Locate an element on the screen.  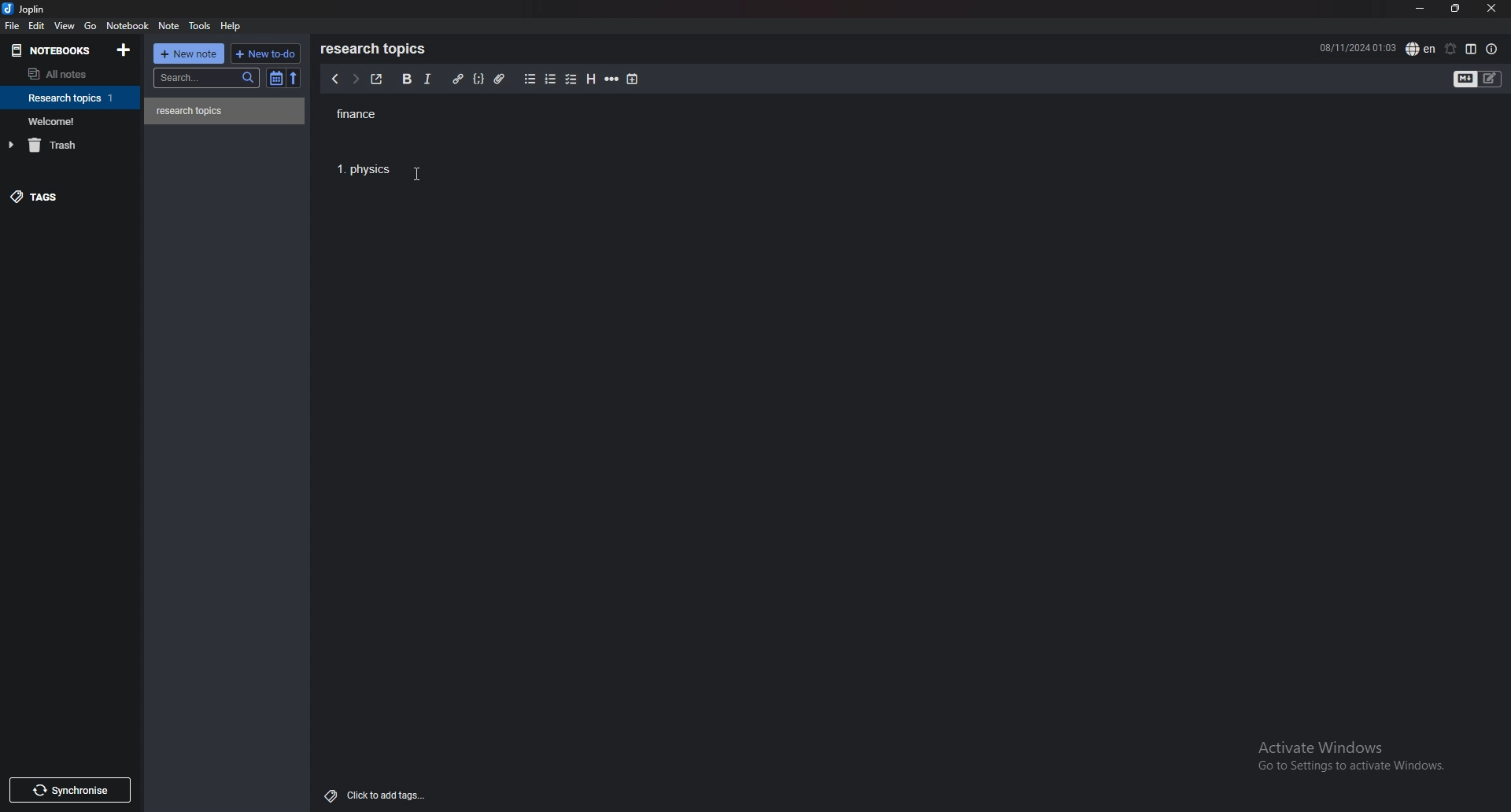
code is located at coordinates (479, 78).